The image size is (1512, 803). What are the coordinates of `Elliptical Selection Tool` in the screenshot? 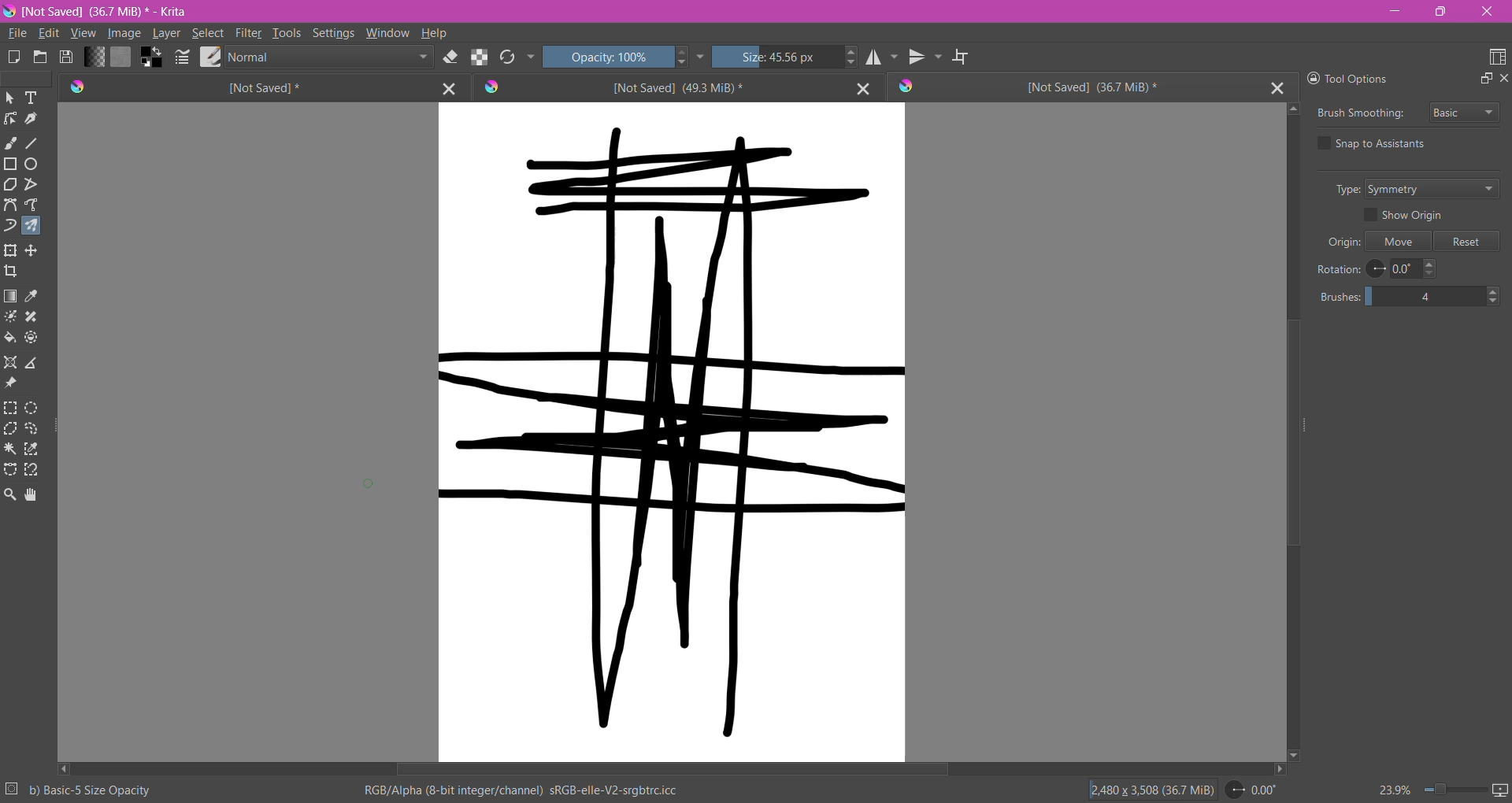 It's located at (33, 408).